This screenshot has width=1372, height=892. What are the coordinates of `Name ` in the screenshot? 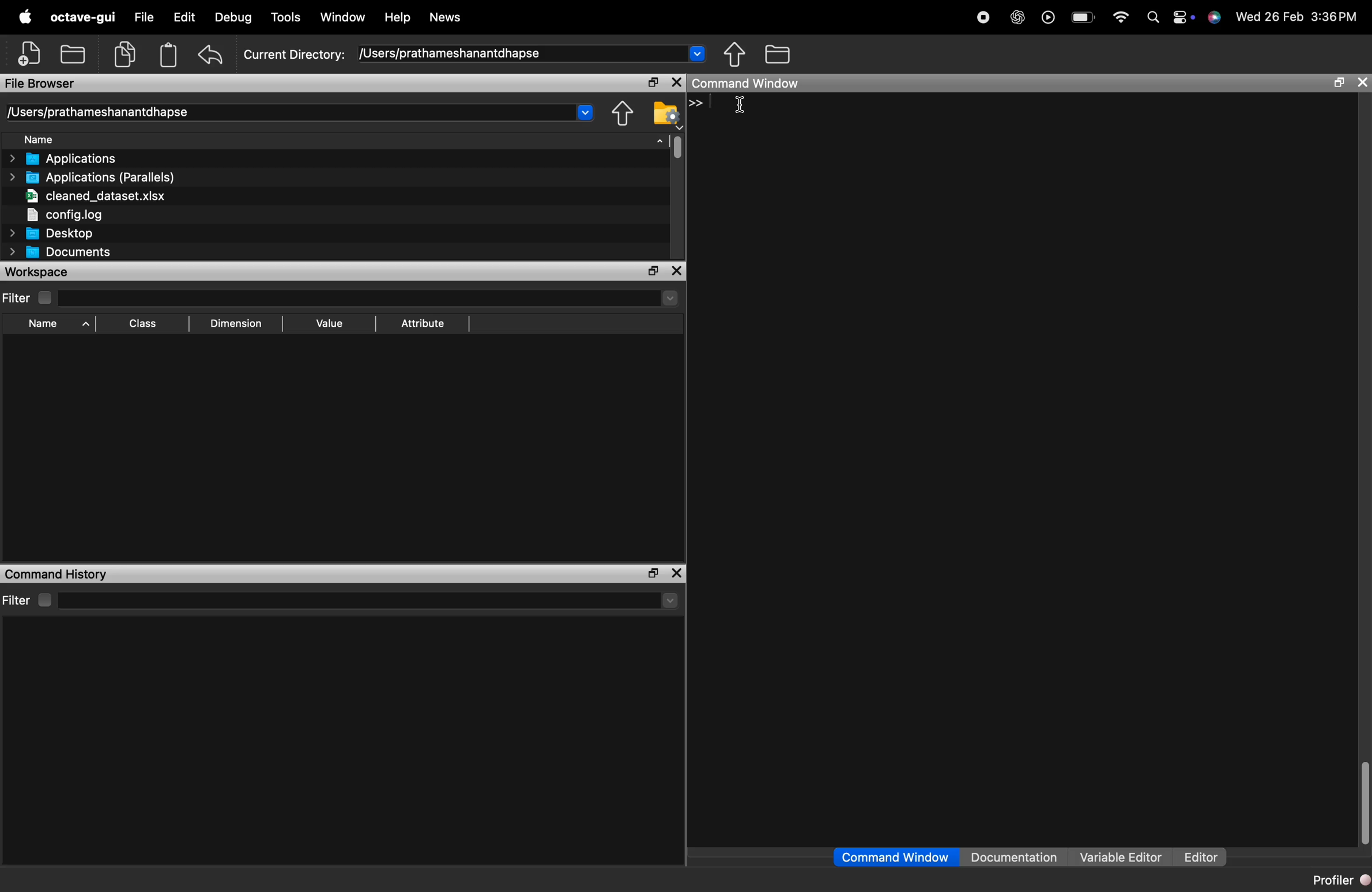 It's located at (55, 326).